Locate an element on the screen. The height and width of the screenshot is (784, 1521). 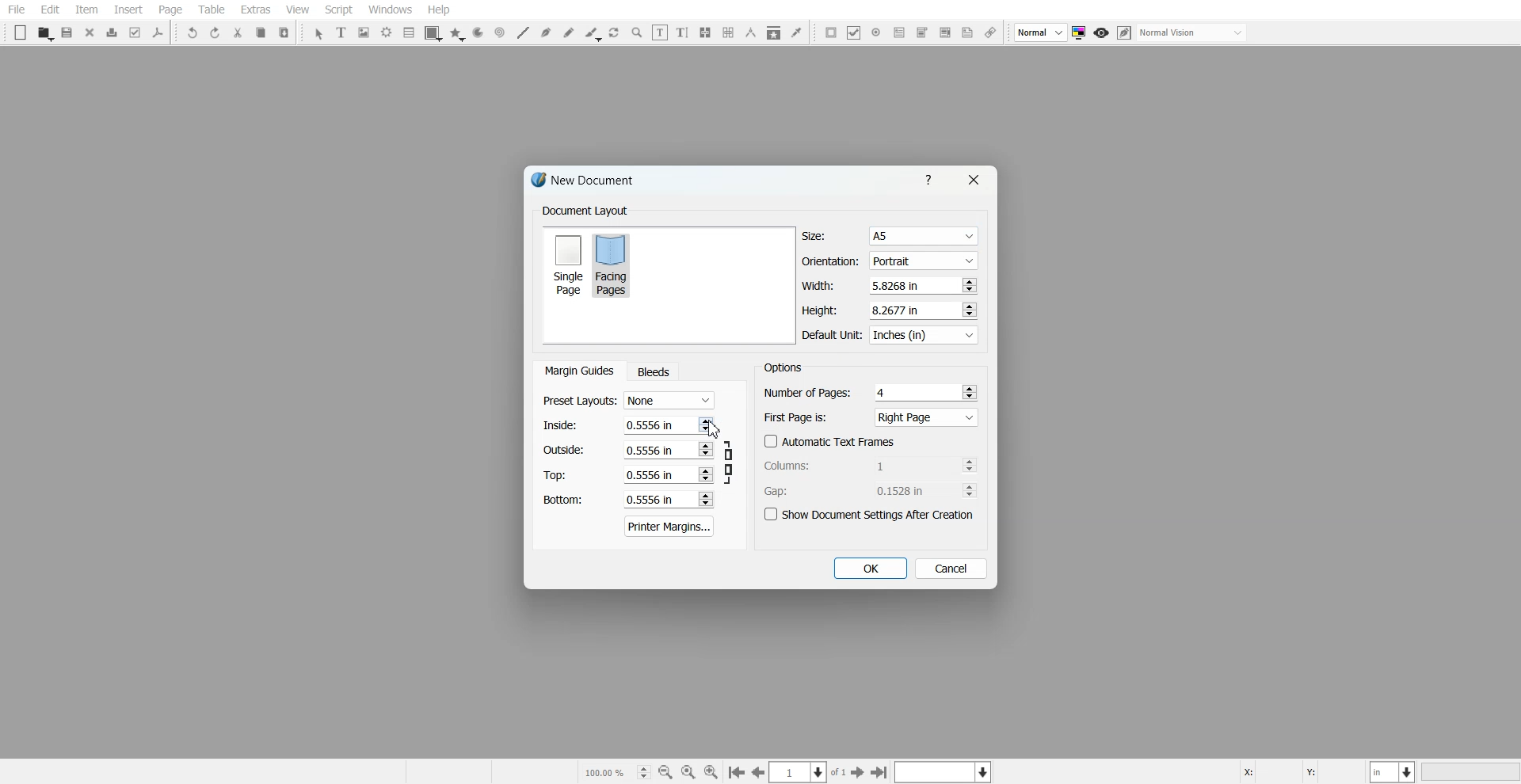
Rotate Item is located at coordinates (616, 33).